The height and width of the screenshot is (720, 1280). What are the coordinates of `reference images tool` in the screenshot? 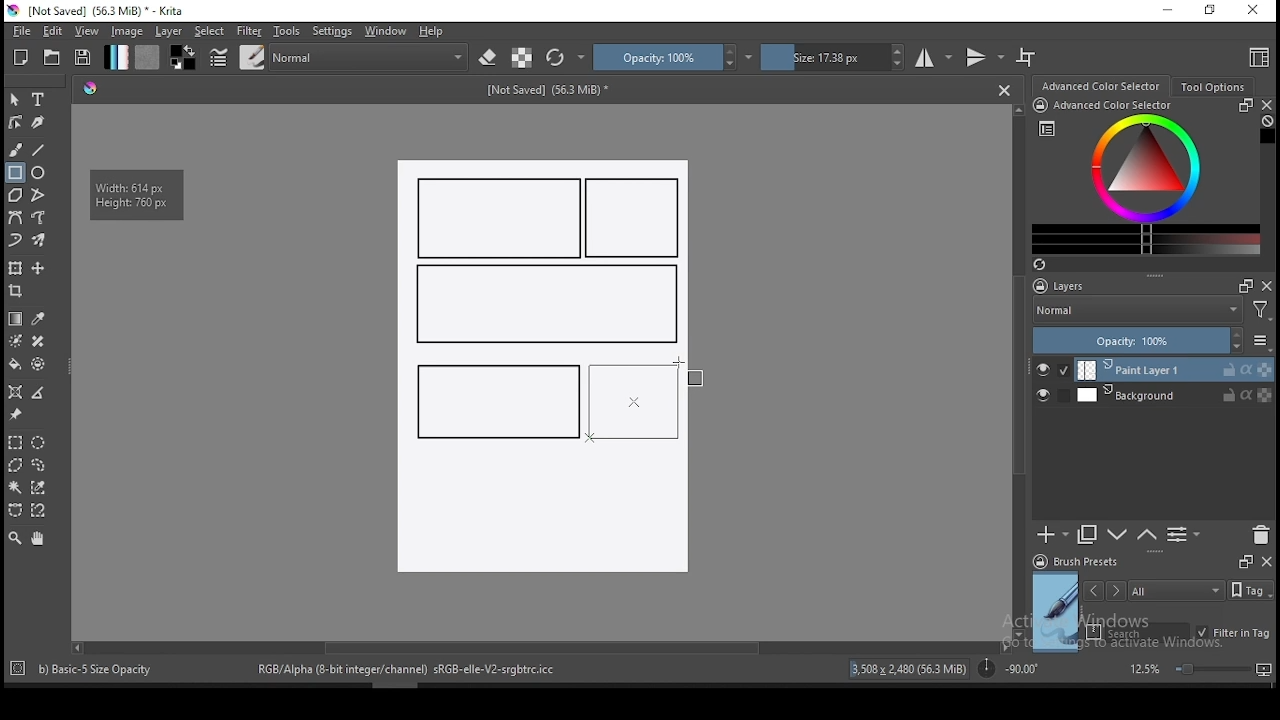 It's located at (14, 415).